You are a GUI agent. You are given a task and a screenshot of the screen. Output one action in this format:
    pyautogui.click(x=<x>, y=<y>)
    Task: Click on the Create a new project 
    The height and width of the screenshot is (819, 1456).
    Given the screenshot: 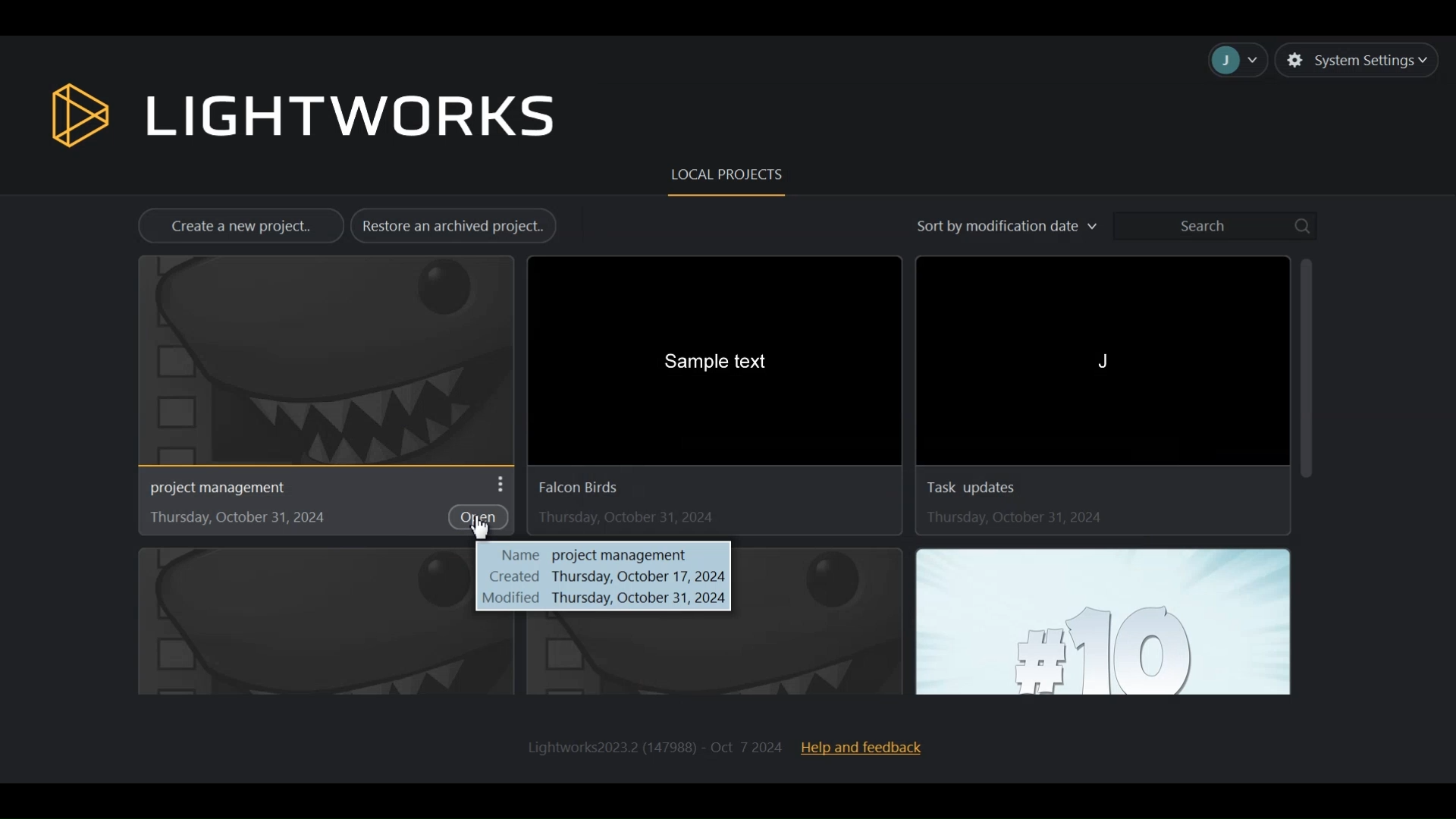 What is the action you would take?
    pyautogui.click(x=242, y=227)
    